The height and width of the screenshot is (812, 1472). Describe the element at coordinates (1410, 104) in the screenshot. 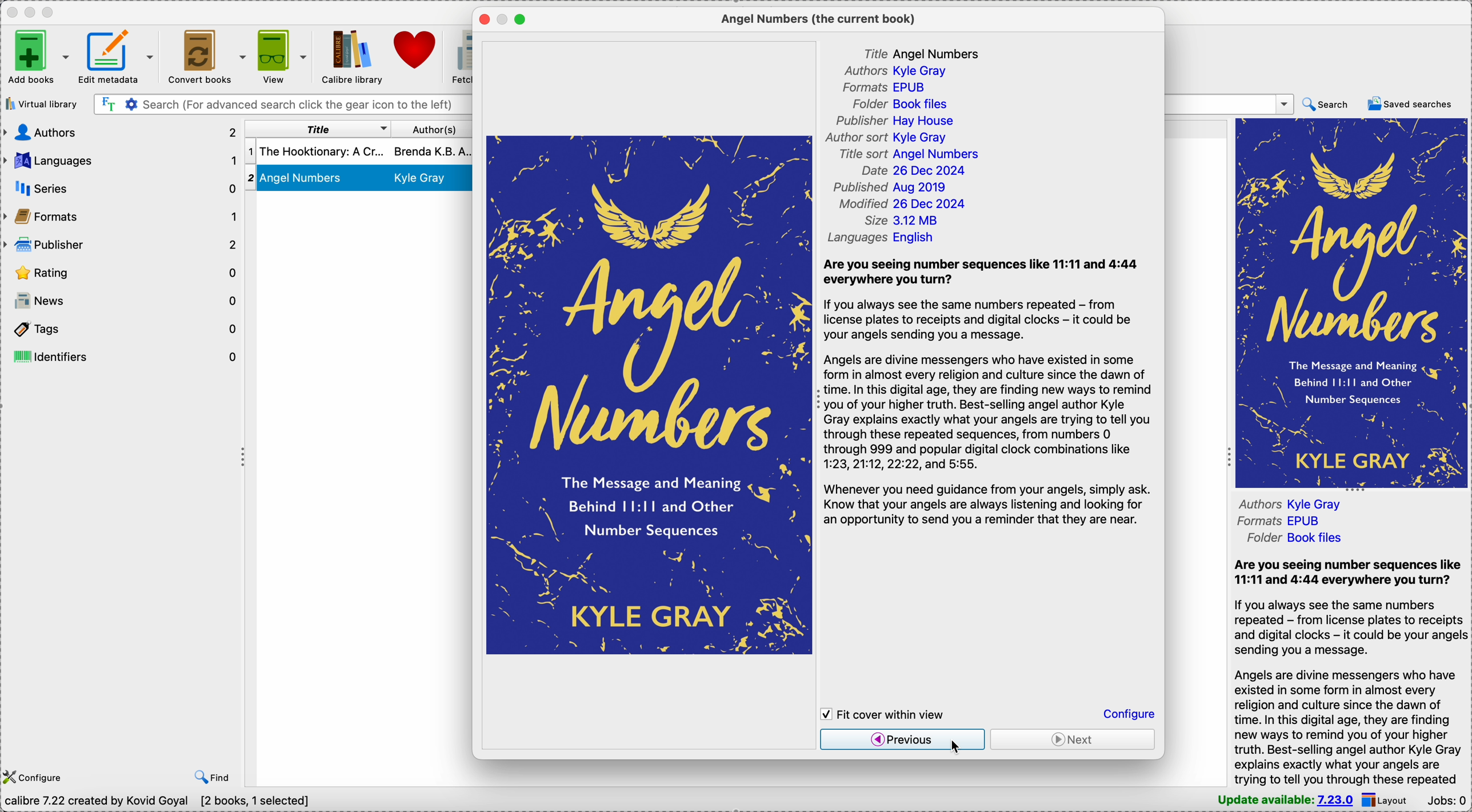

I see `saved searches` at that location.